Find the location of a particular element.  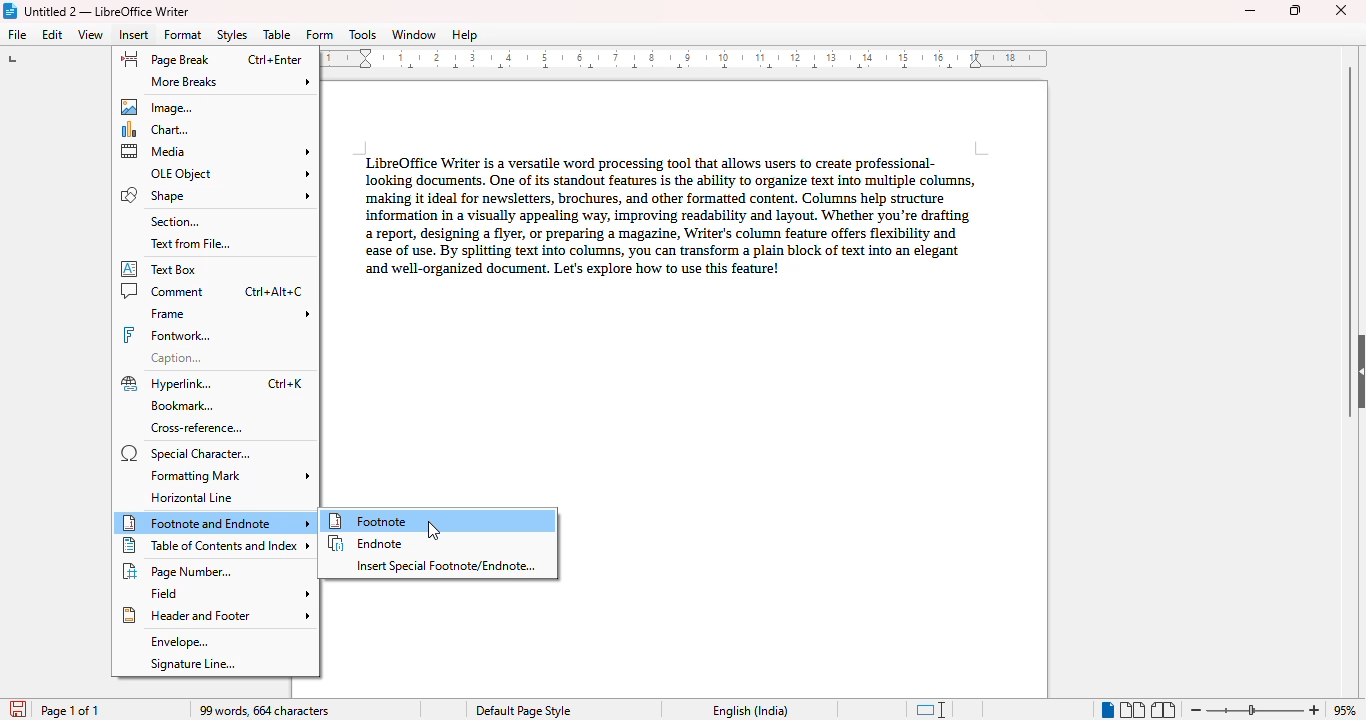

chart is located at coordinates (155, 130).